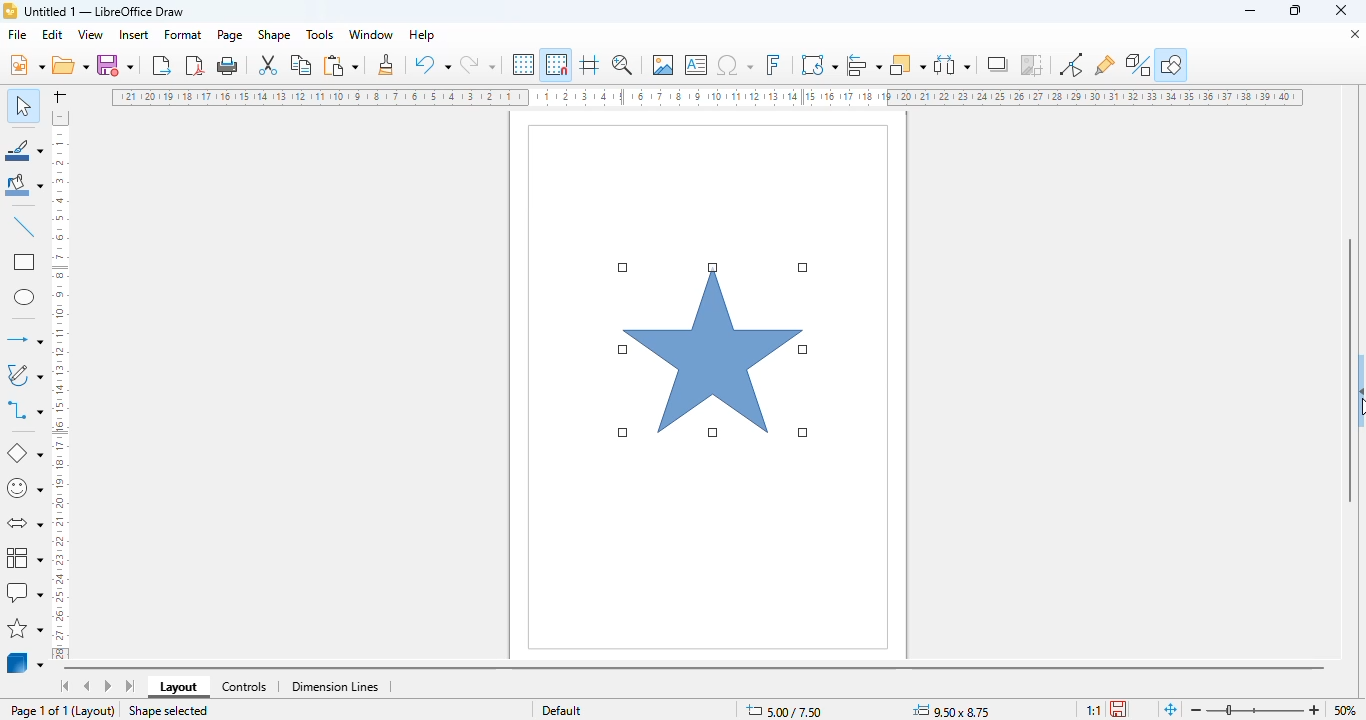 Image resolution: width=1366 pixels, height=720 pixels. Describe the element at coordinates (524, 64) in the screenshot. I see `display grid` at that location.